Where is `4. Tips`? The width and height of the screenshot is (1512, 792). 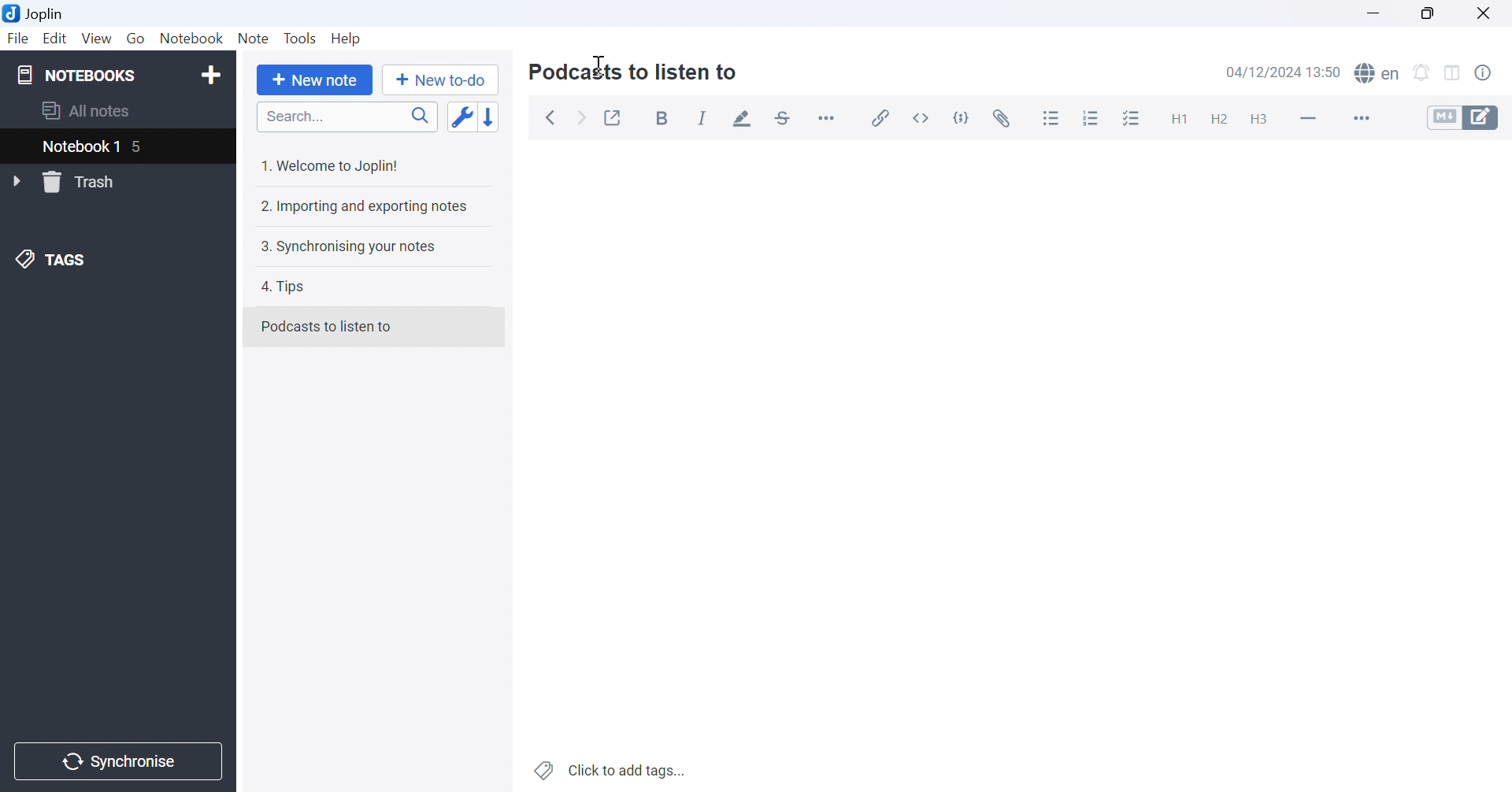
4. Tips is located at coordinates (289, 288).